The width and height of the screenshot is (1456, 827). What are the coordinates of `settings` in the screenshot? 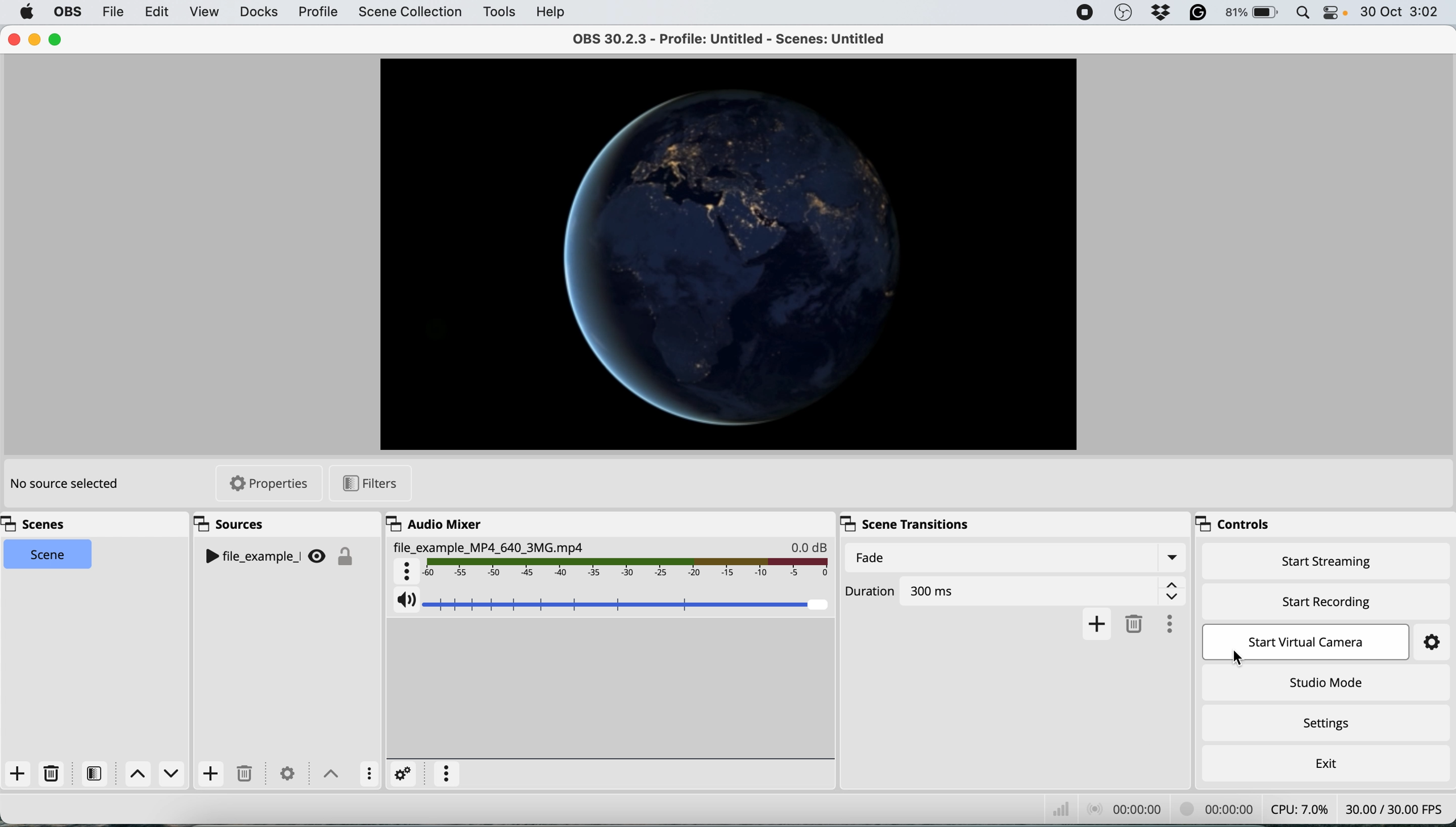 It's located at (1434, 641).